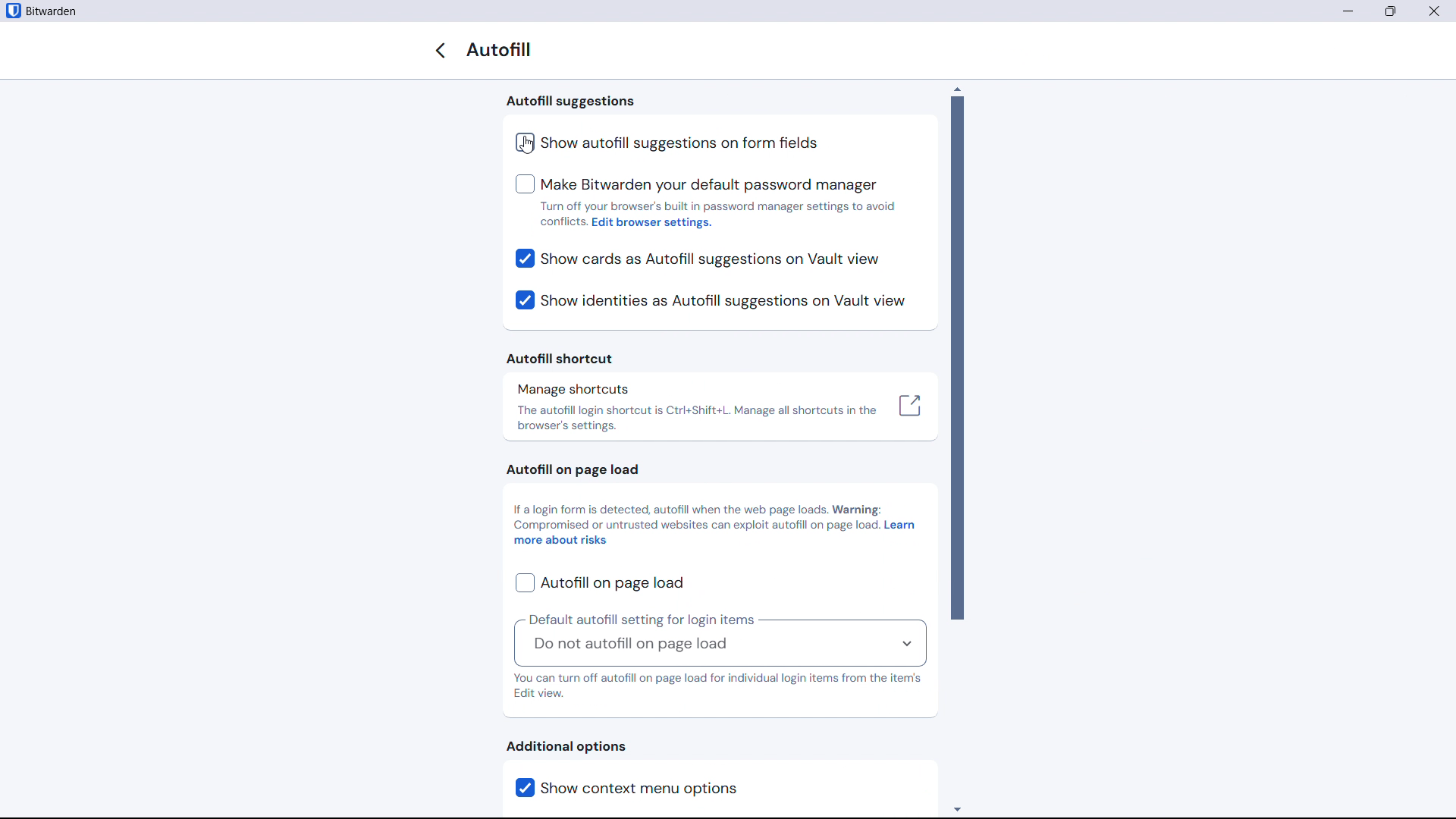  What do you see at coordinates (663, 788) in the screenshot?
I see `Show context menu options ` at bounding box center [663, 788].